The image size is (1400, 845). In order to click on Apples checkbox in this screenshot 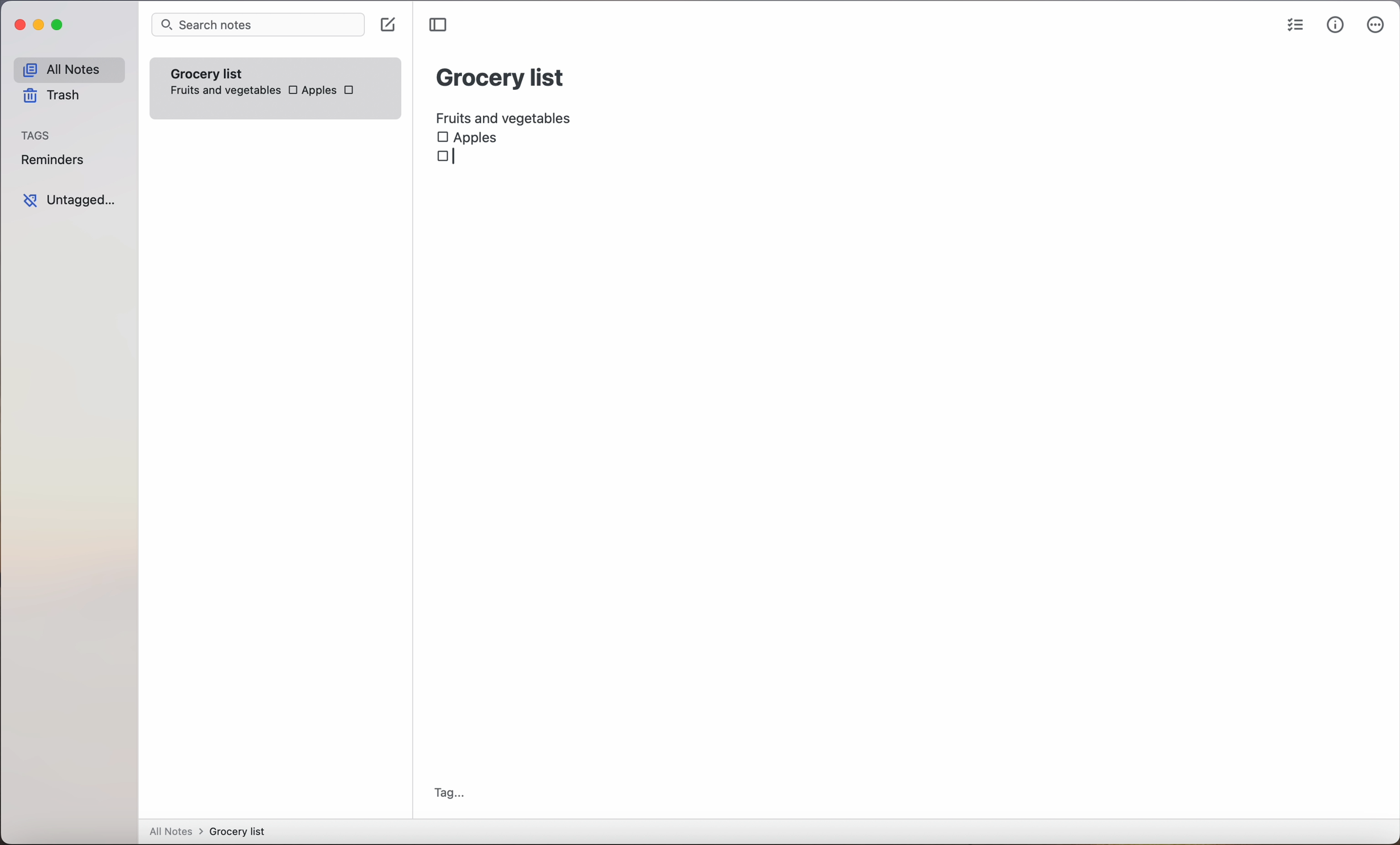, I will do `click(311, 90)`.